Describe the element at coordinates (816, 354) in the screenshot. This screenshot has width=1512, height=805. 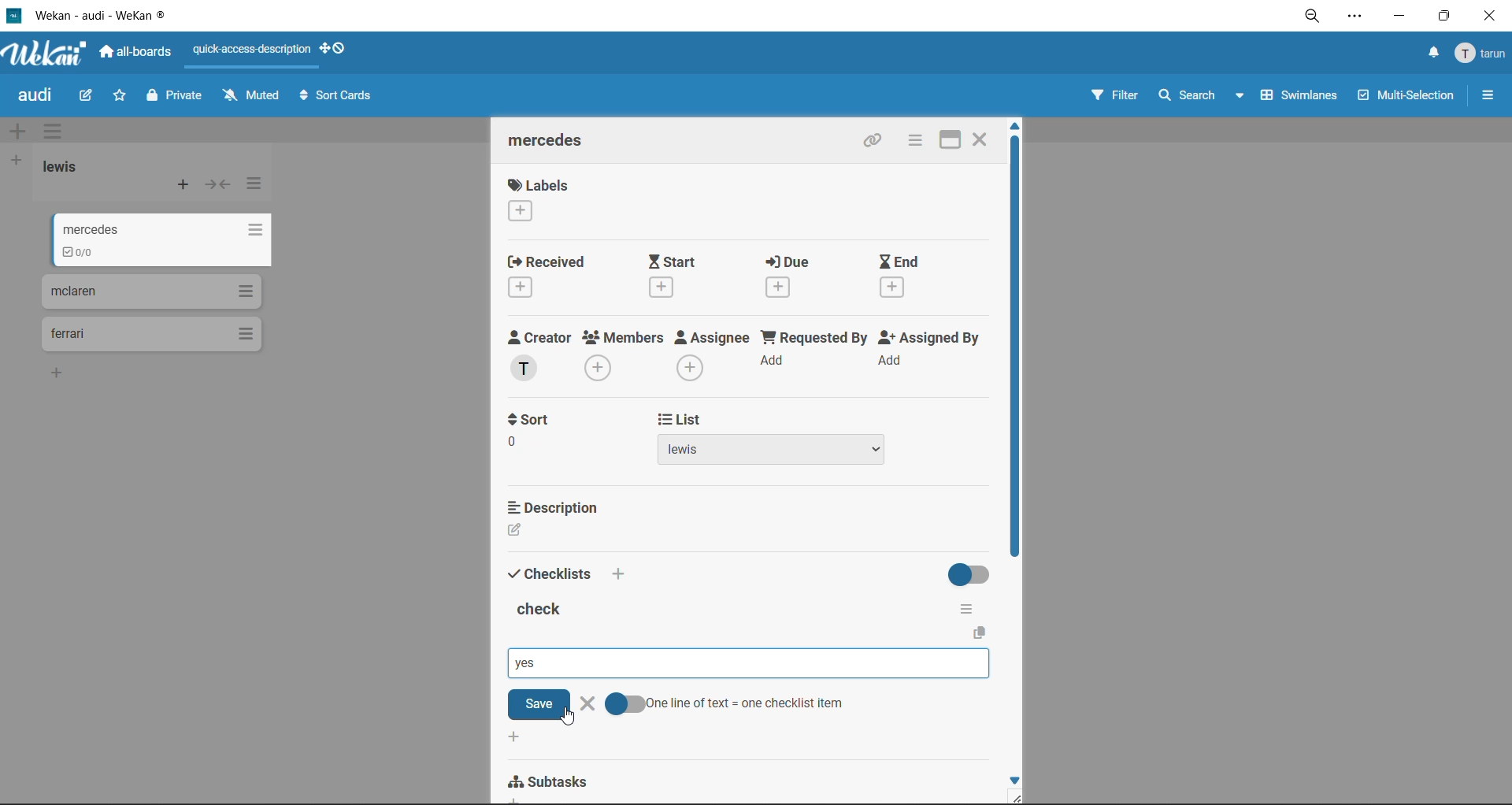
I see `requested by` at that location.